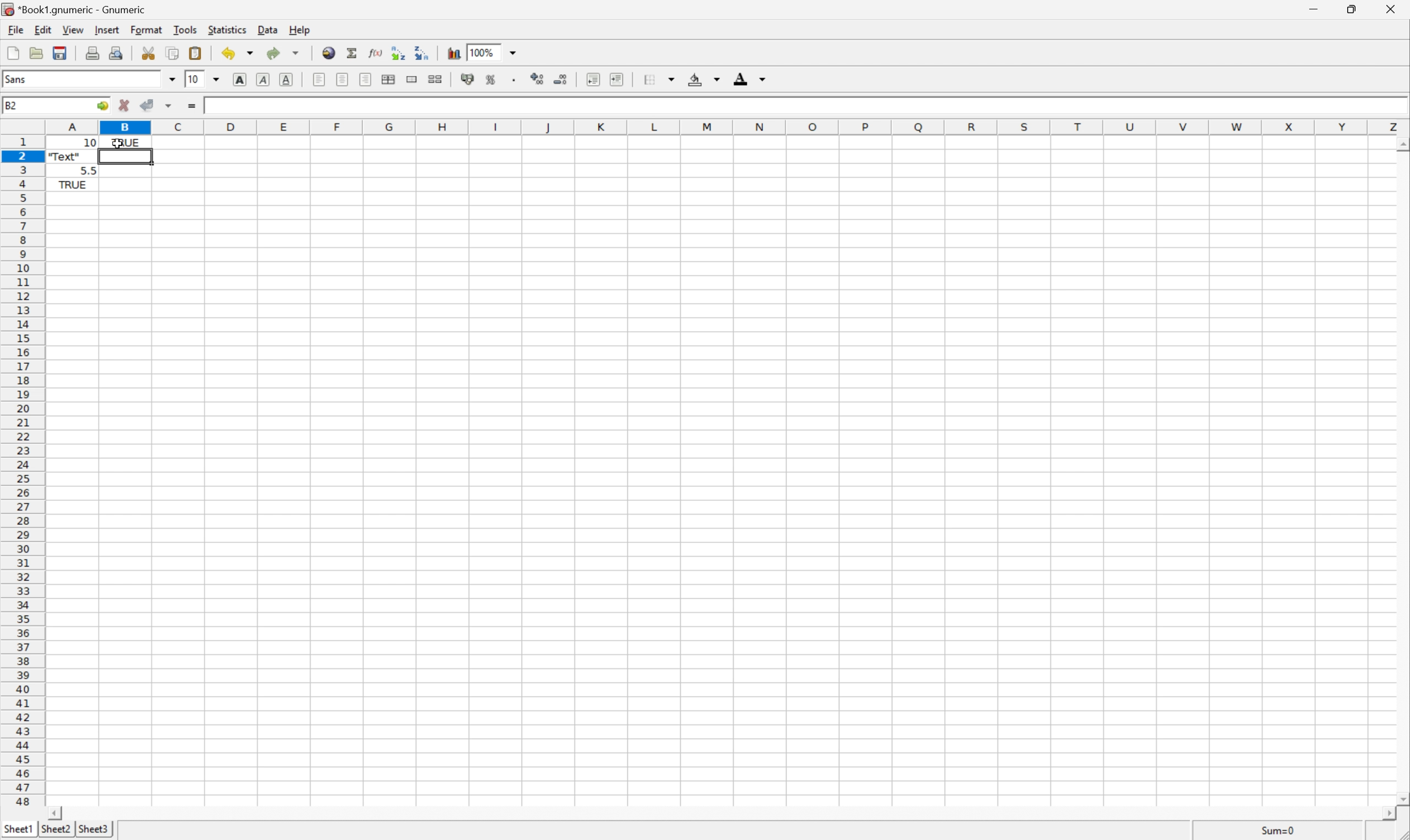 Image resolution: width=1410 pixels, height=840 pixels. I want to click on Close, so click(1392, 9).